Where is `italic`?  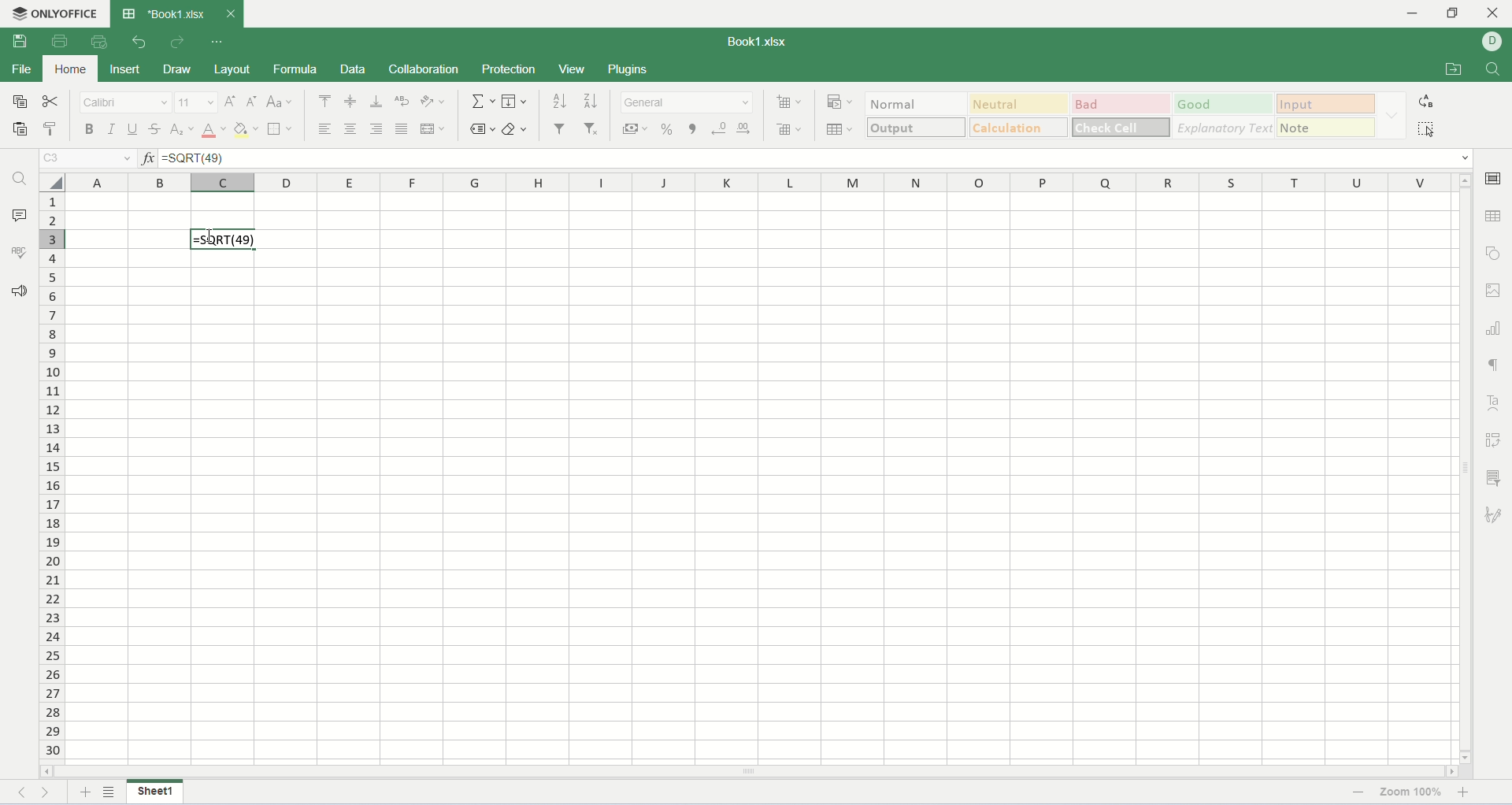 italic is located at coordinates (110, 131).